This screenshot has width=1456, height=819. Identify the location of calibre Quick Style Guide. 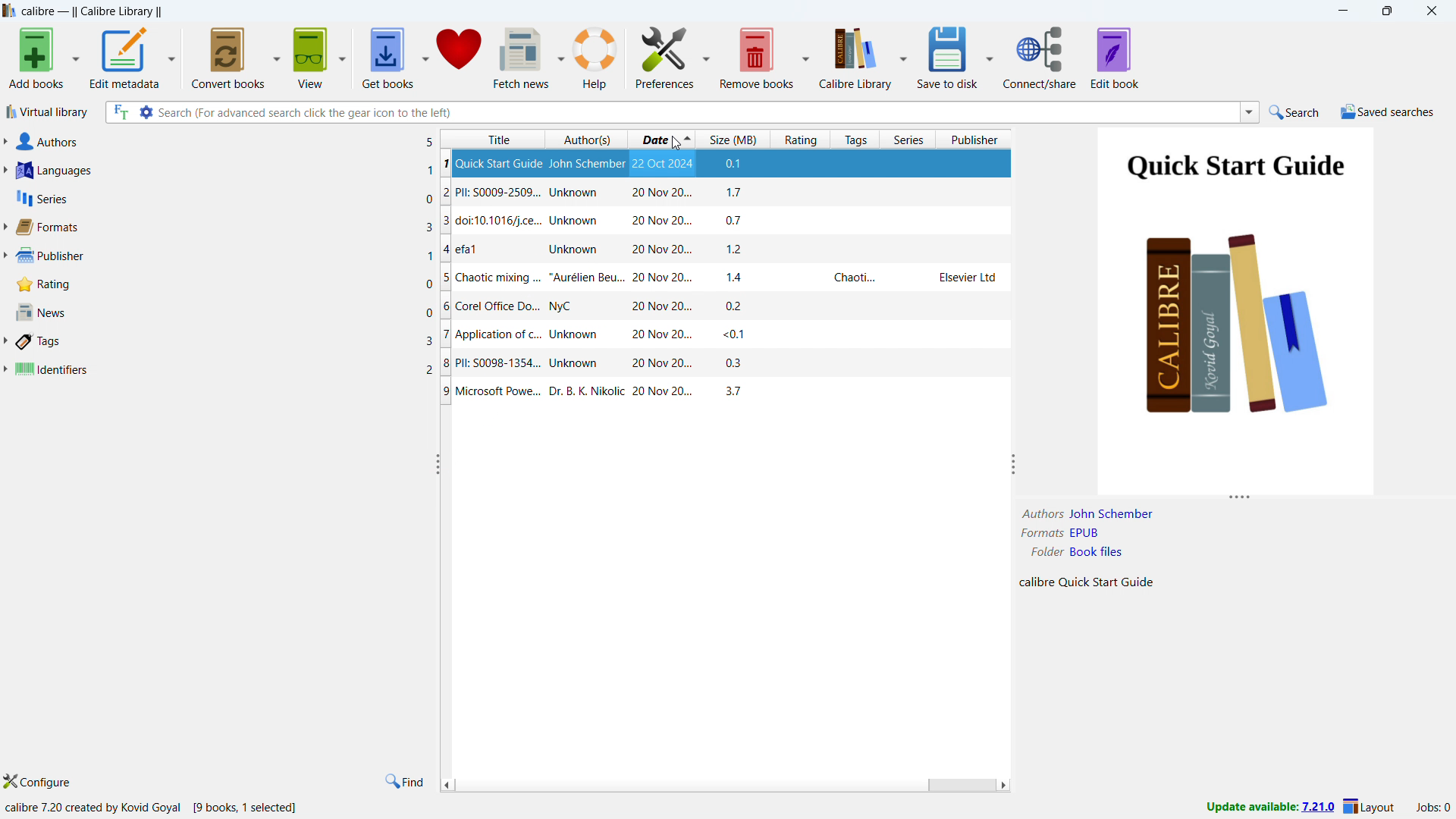
(1087, 584).